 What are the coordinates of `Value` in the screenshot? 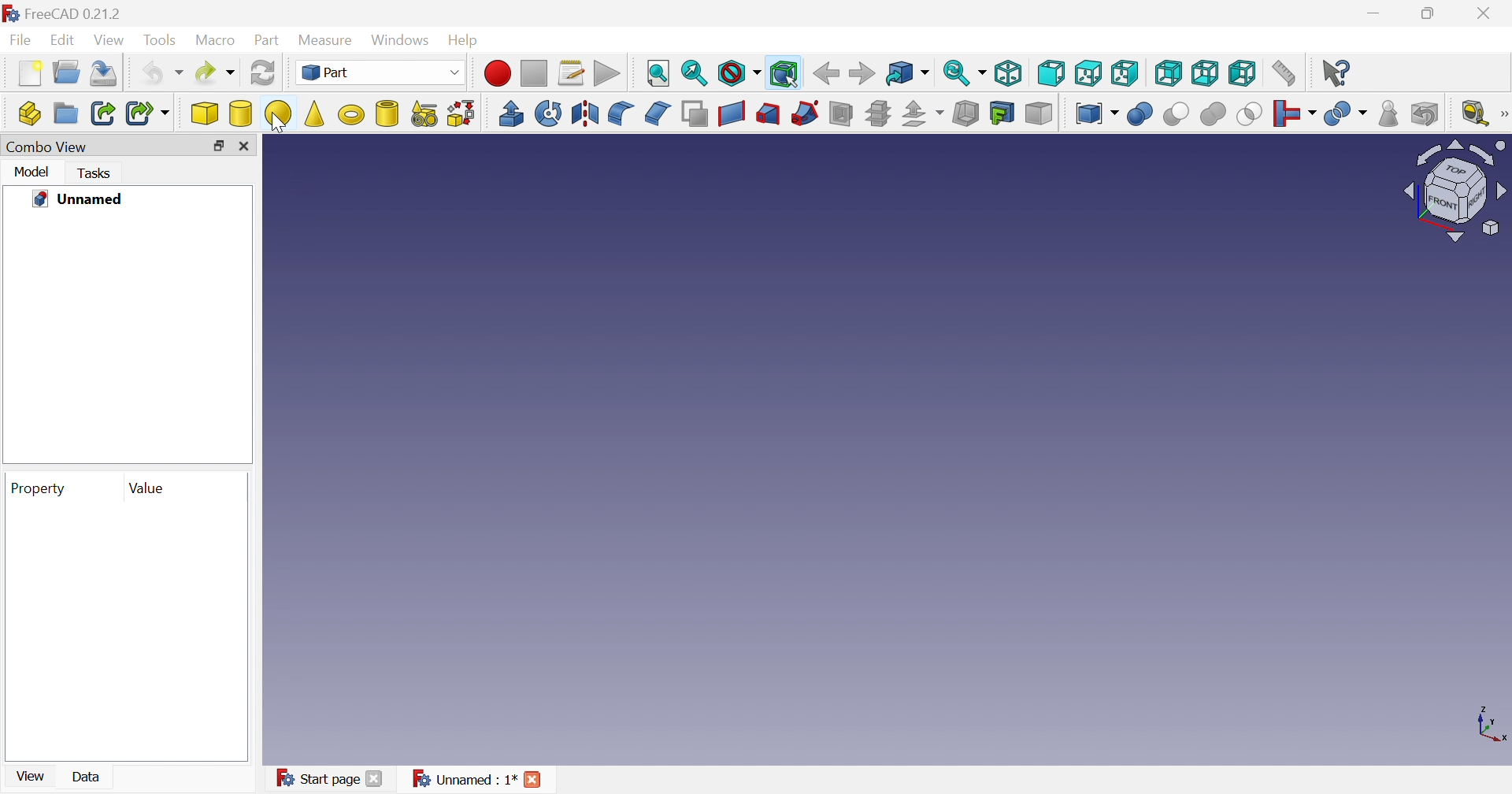 It's located at (146, 486).